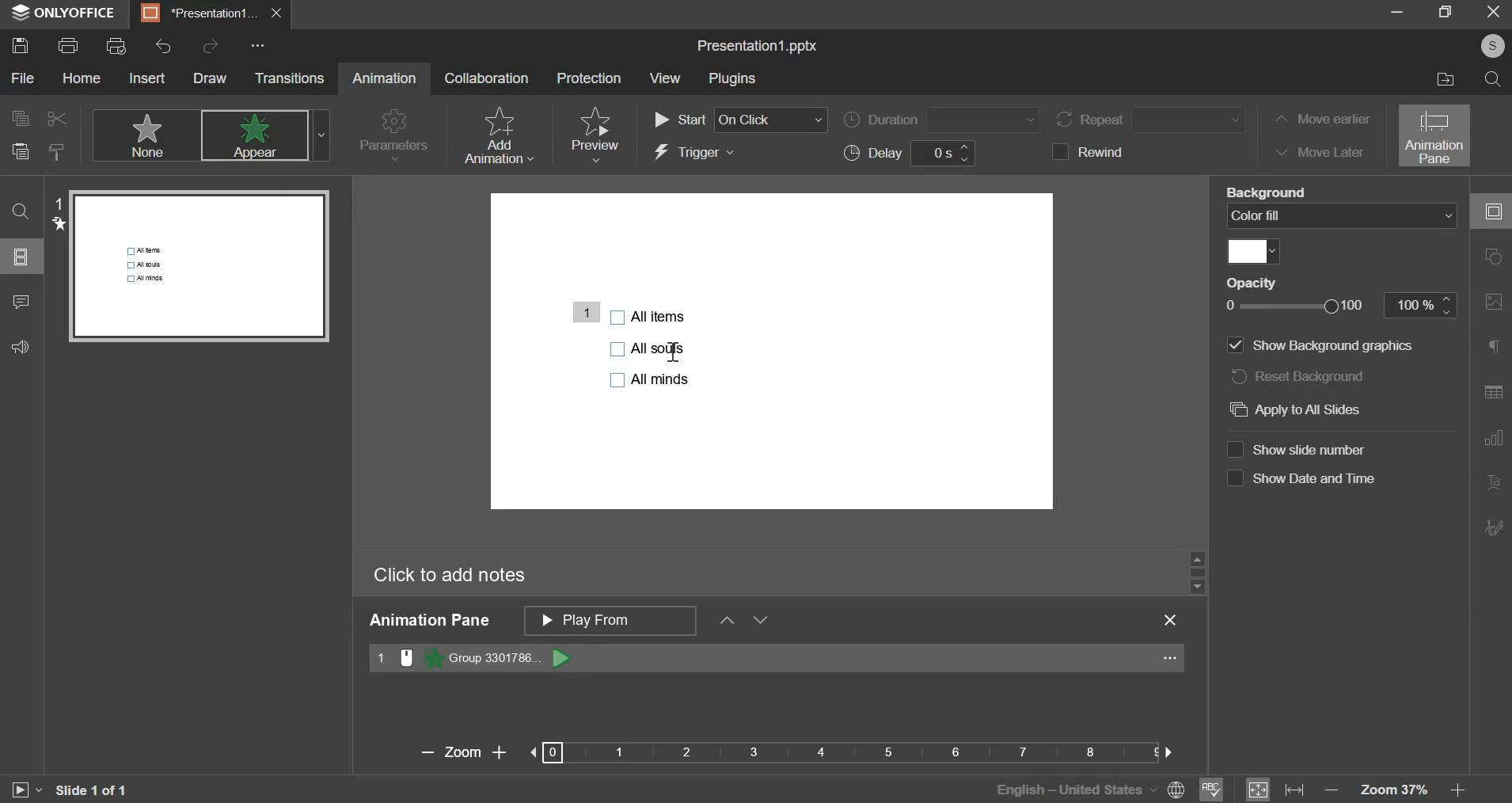  Describe the element at coordinates (695, 154) in the screenshot. I see `trigger` at that location.